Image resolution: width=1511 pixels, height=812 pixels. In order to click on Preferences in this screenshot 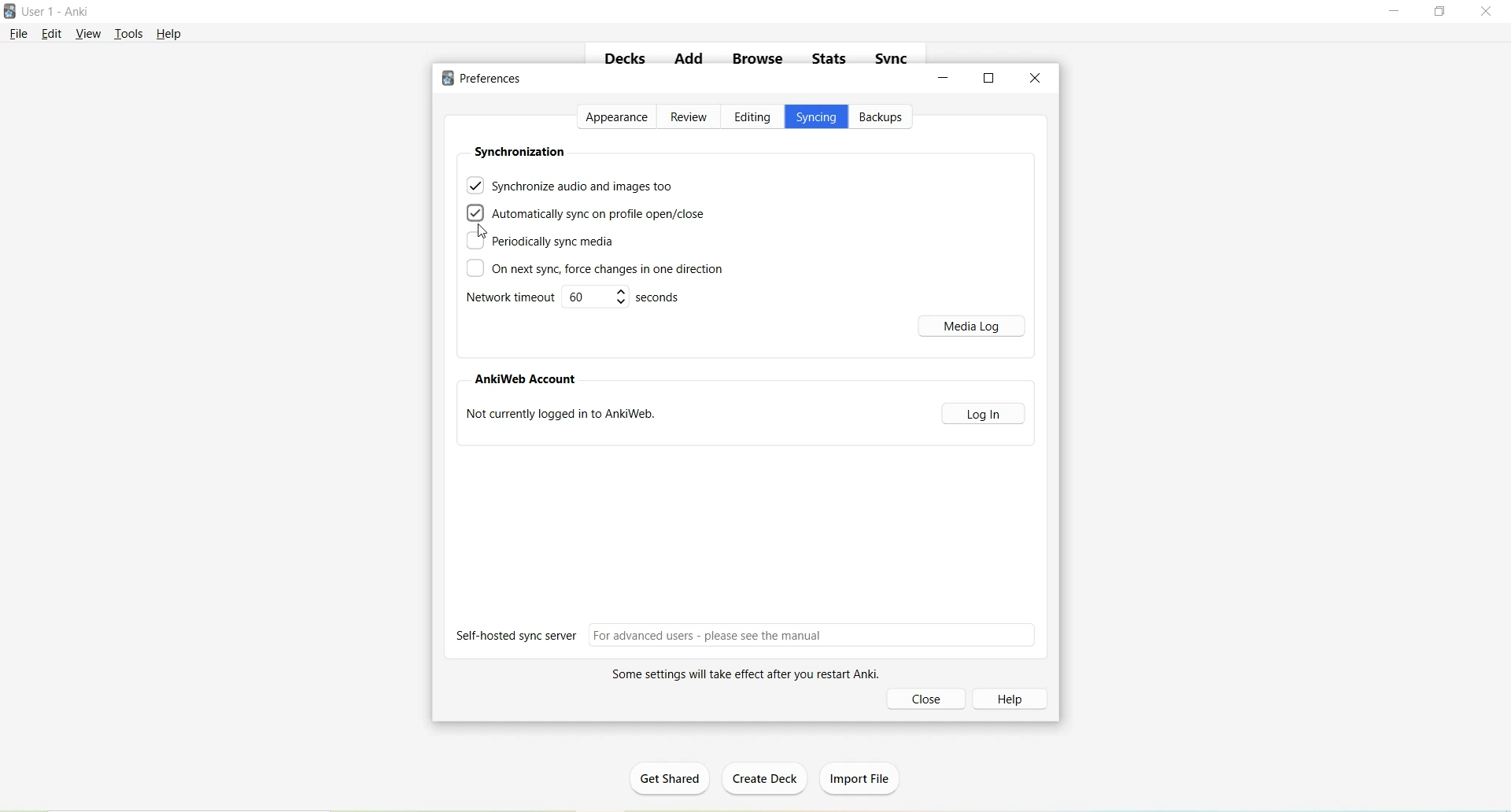, I will do `click(486, 79)`.